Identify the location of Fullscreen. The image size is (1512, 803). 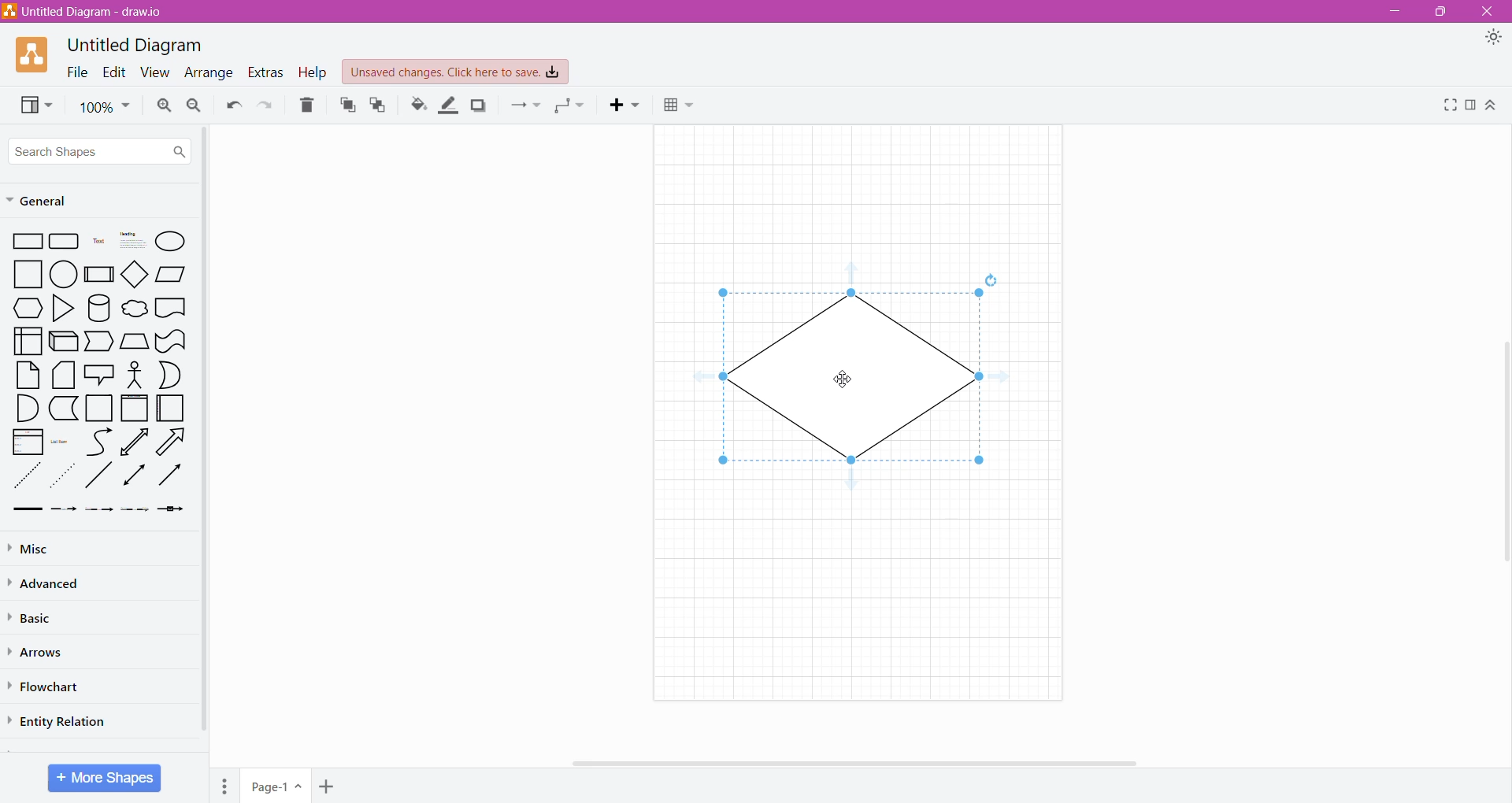
(1450, 106).